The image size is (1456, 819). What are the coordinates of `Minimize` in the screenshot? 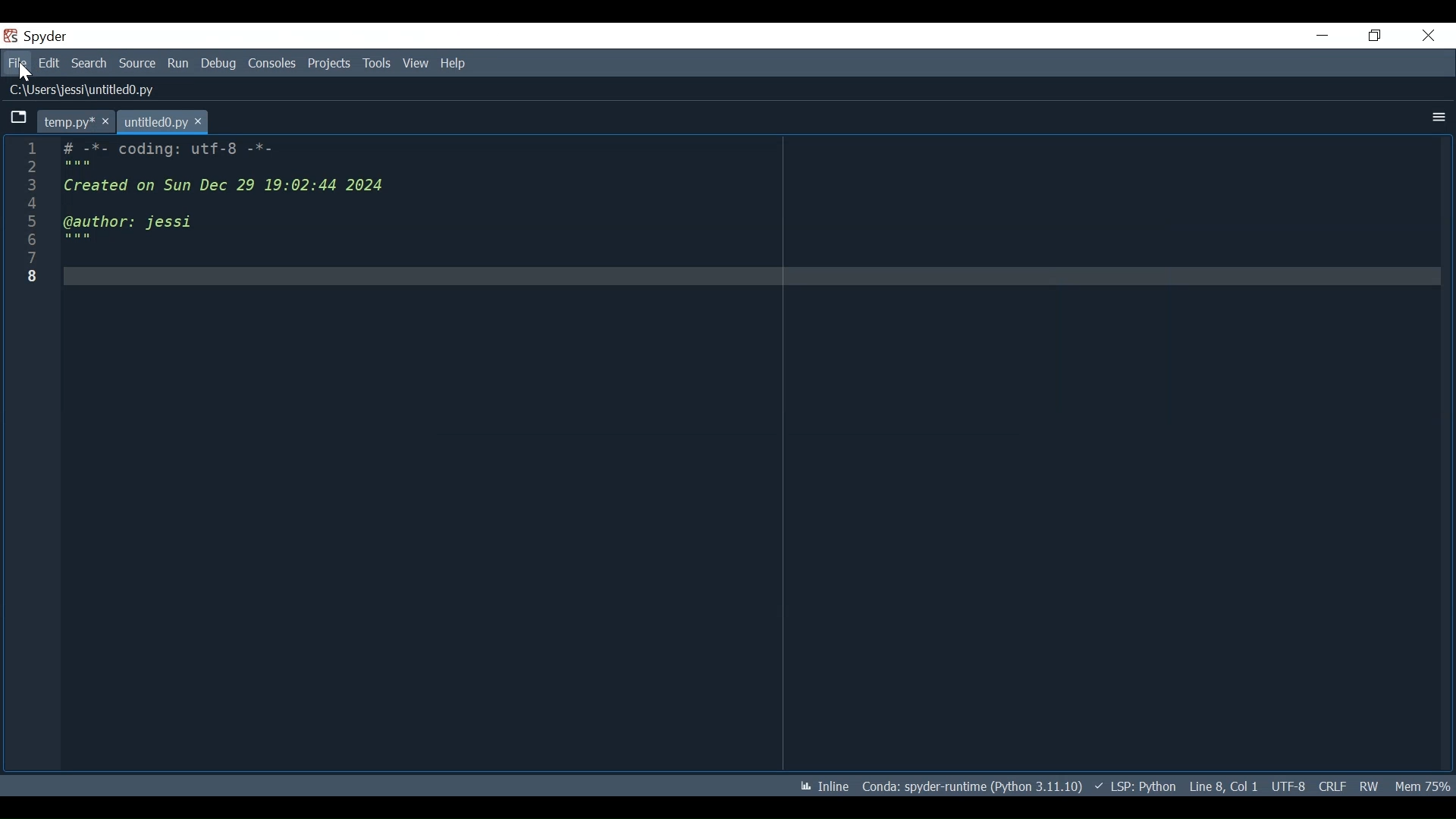 It's located at (1321, 35).